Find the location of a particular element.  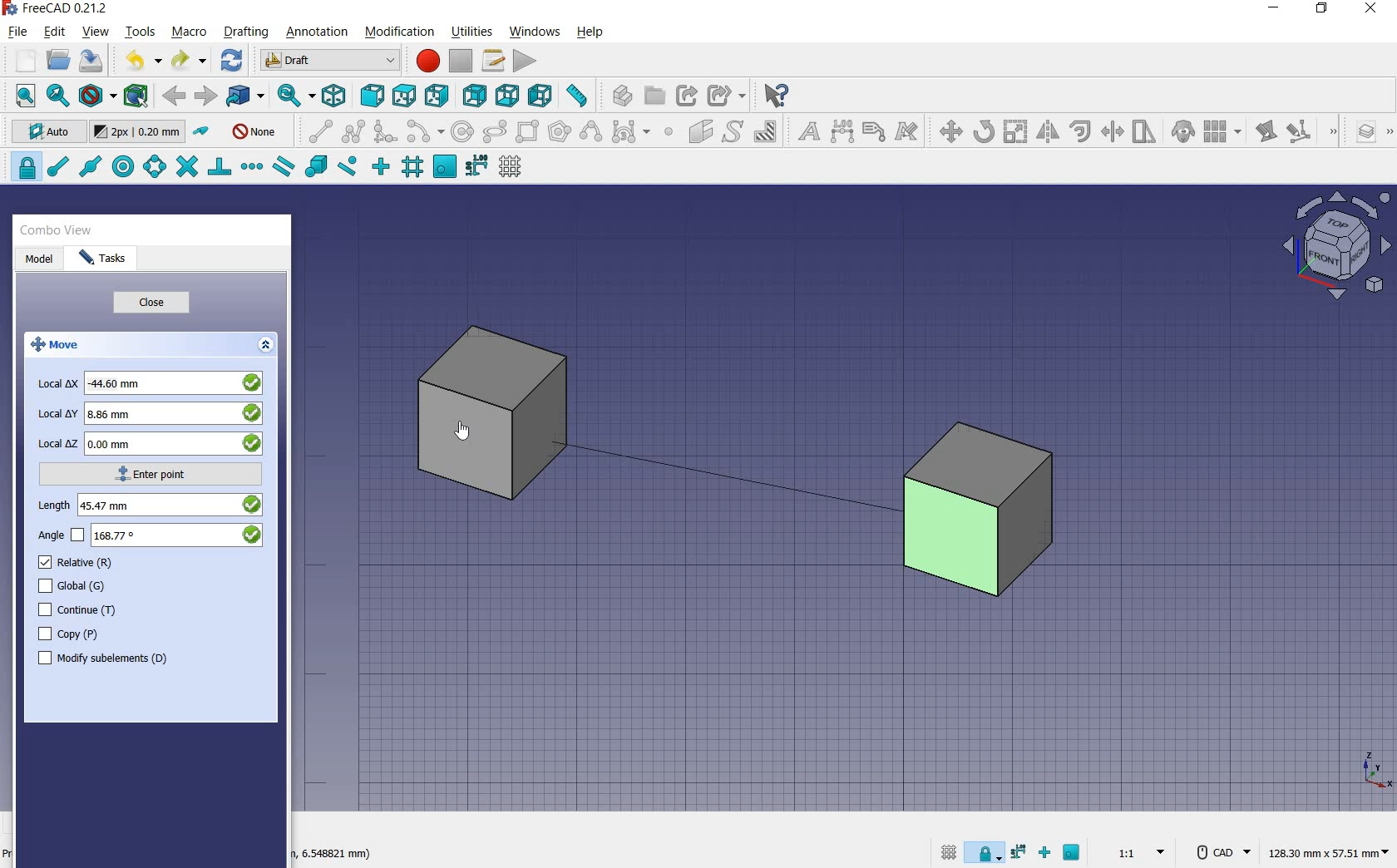

ellipse is located at coordinates (496, 132).